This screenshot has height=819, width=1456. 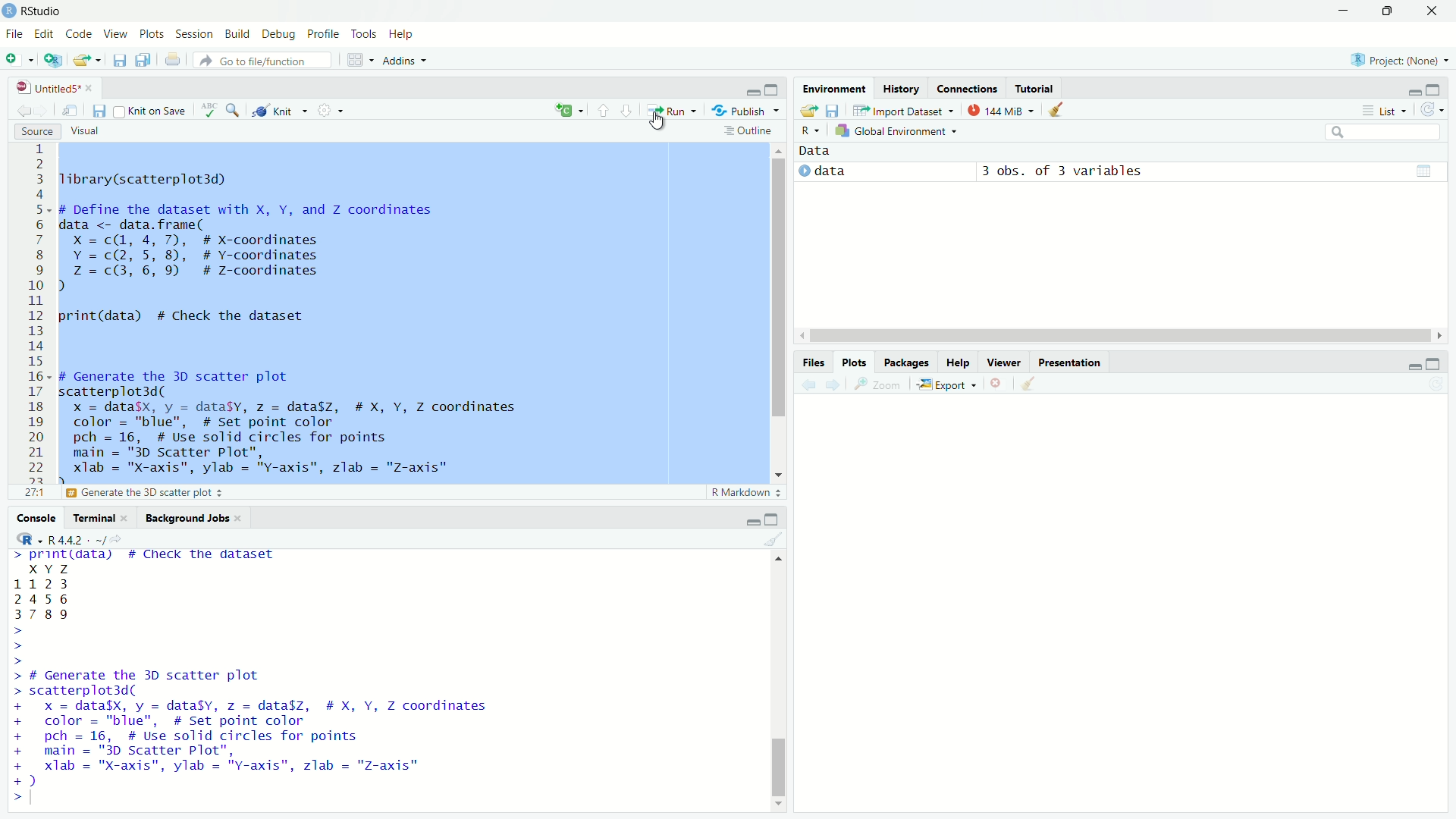 I want to click on publish, so click(x=748, y=110).